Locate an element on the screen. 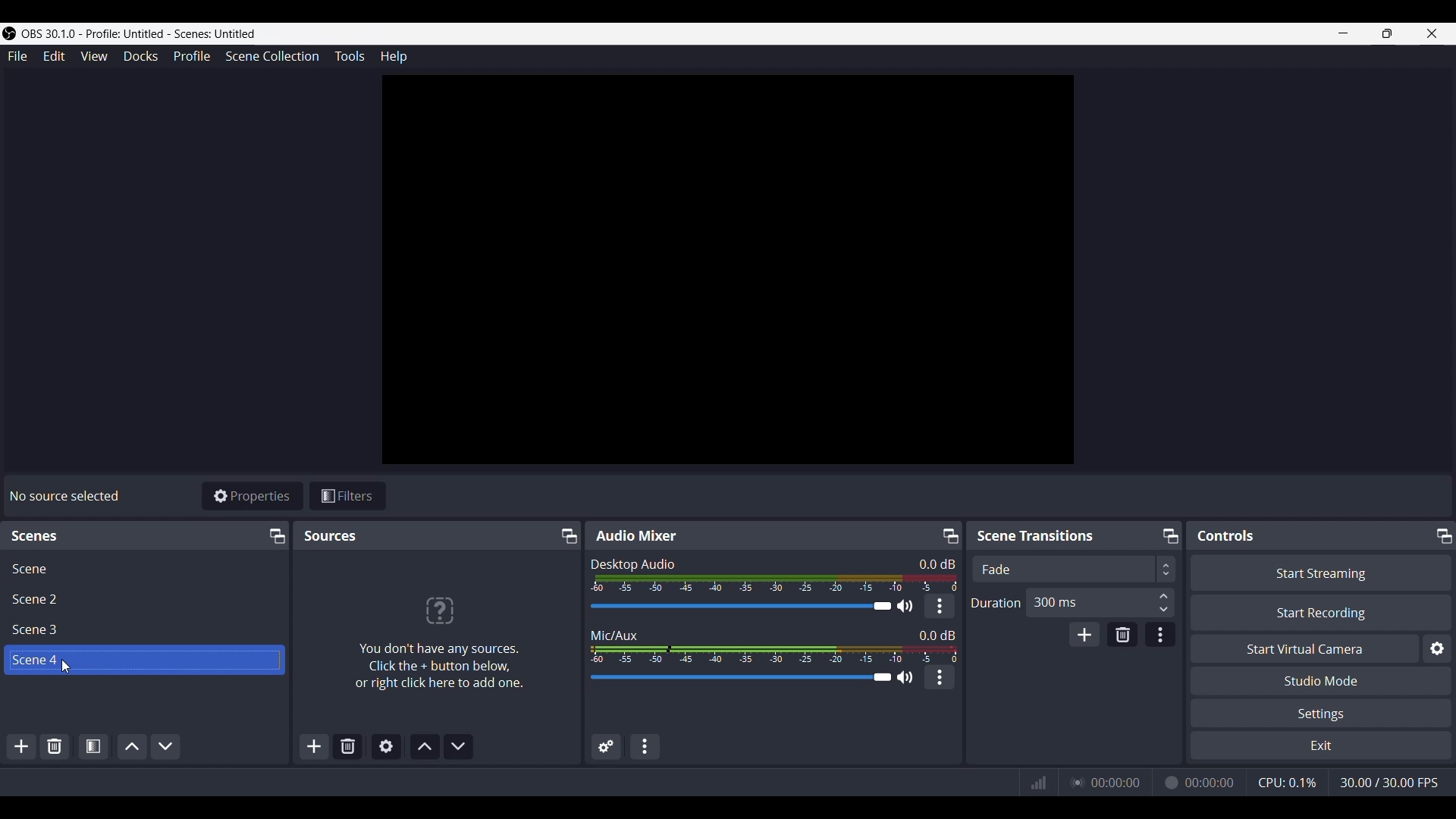 The width and height of the screenshot is (1456, 819). You don't have any sources. Click the + button below, or right click to add one.  is located at coordinates (438, 667).